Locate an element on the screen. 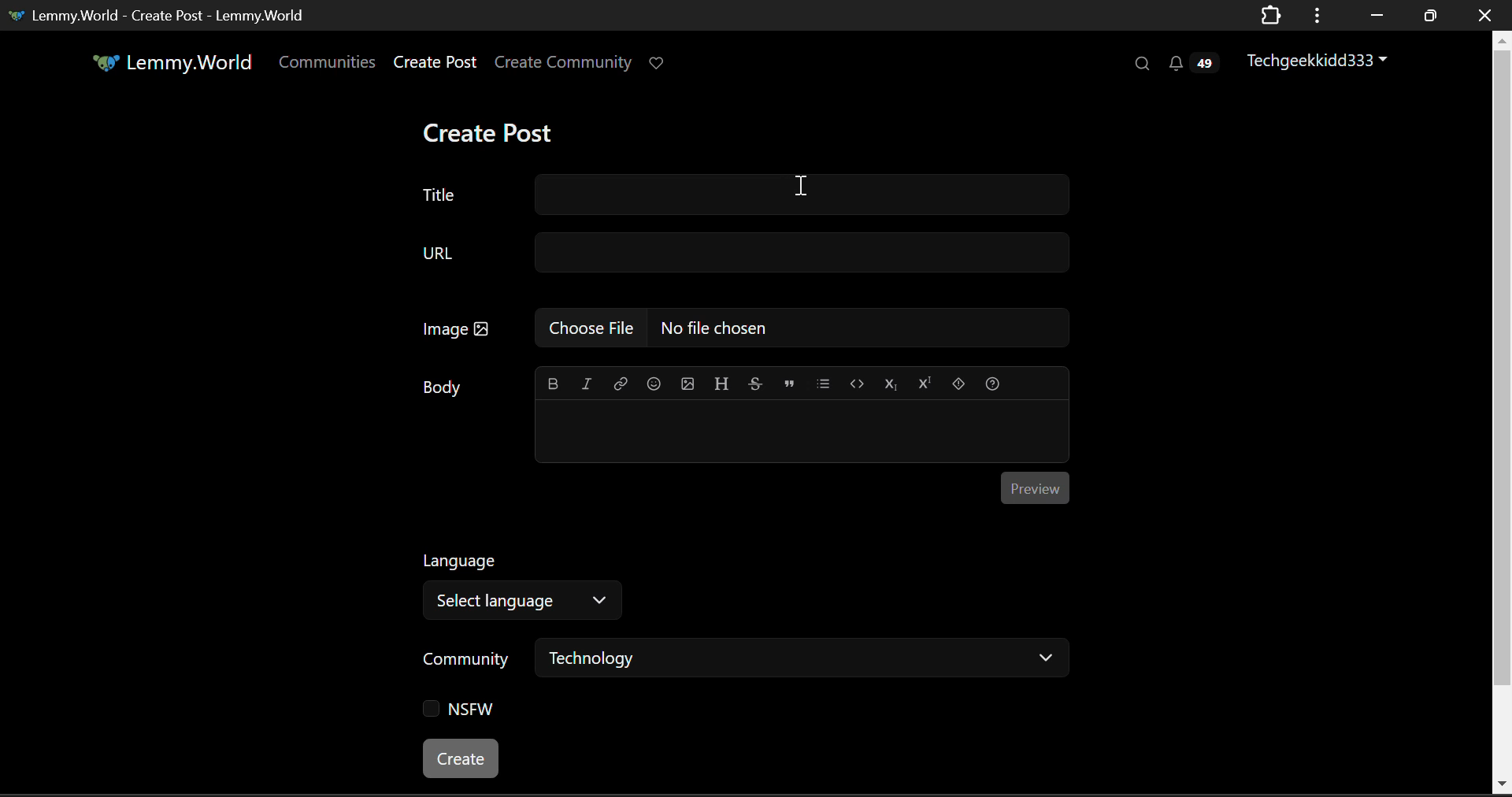  Link is located at coordinates (618, 385).